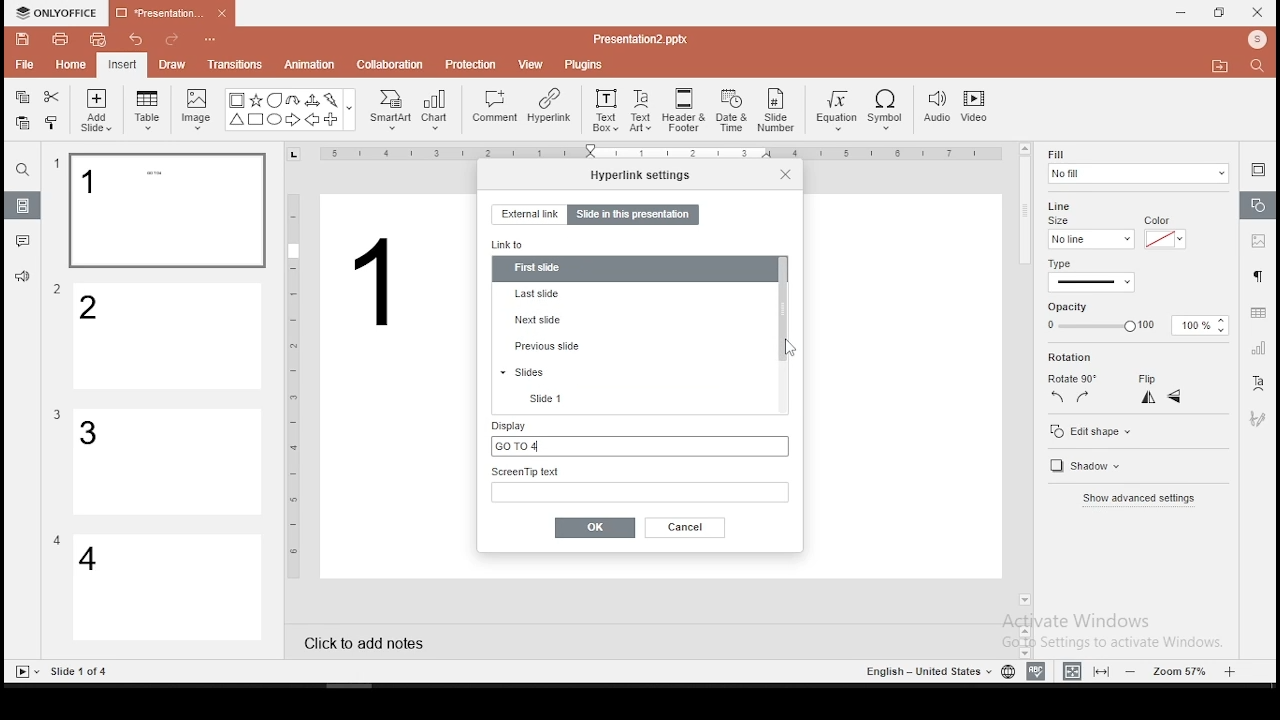 The height and width of the screenshot is (720, 1280). What do you see at coordinates (173, 64) in the screenshot?
I see `draw` at bounding box center [173, 64].